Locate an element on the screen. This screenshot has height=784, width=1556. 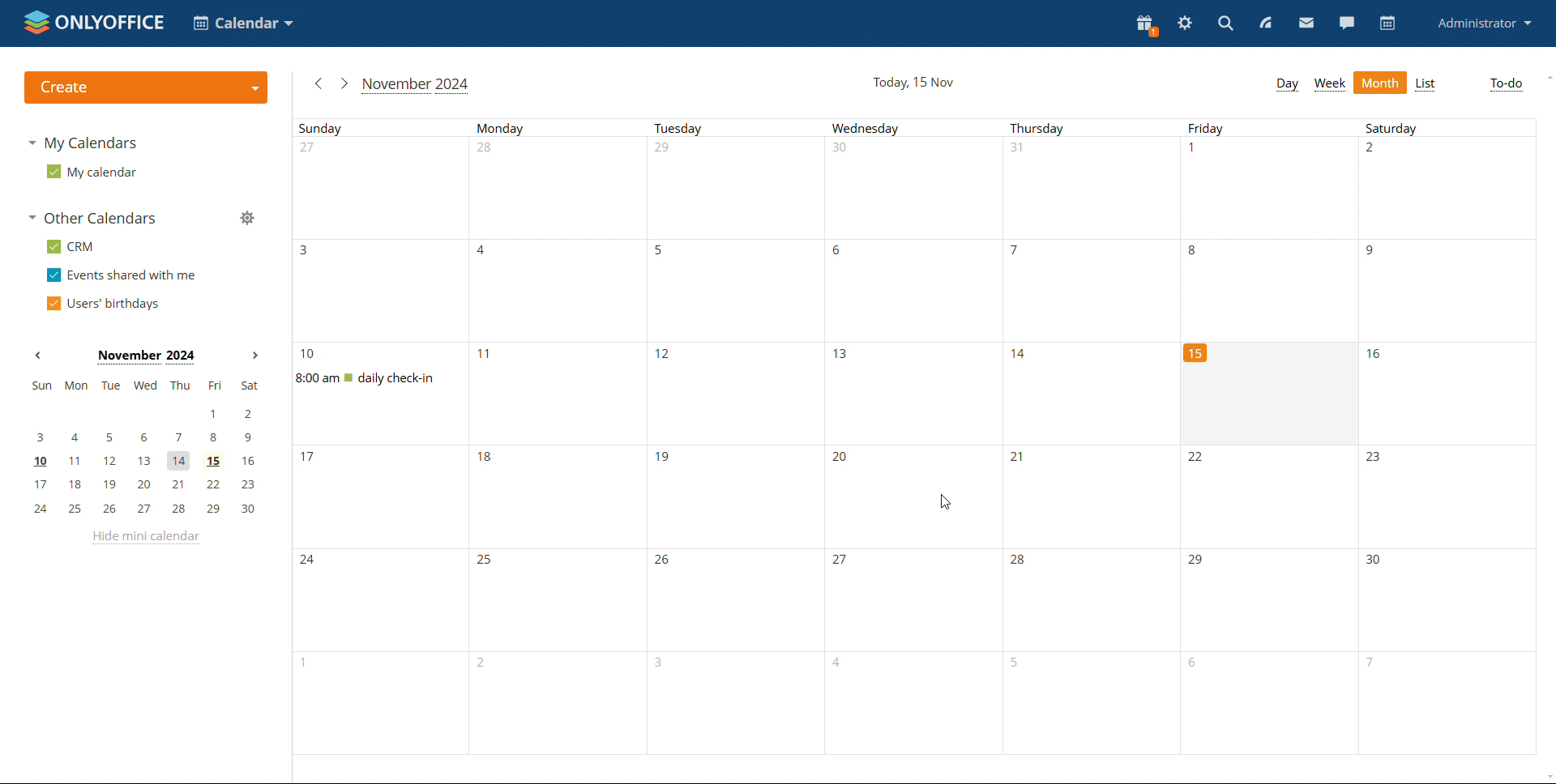
settings is located at coordinates (1184, 23).